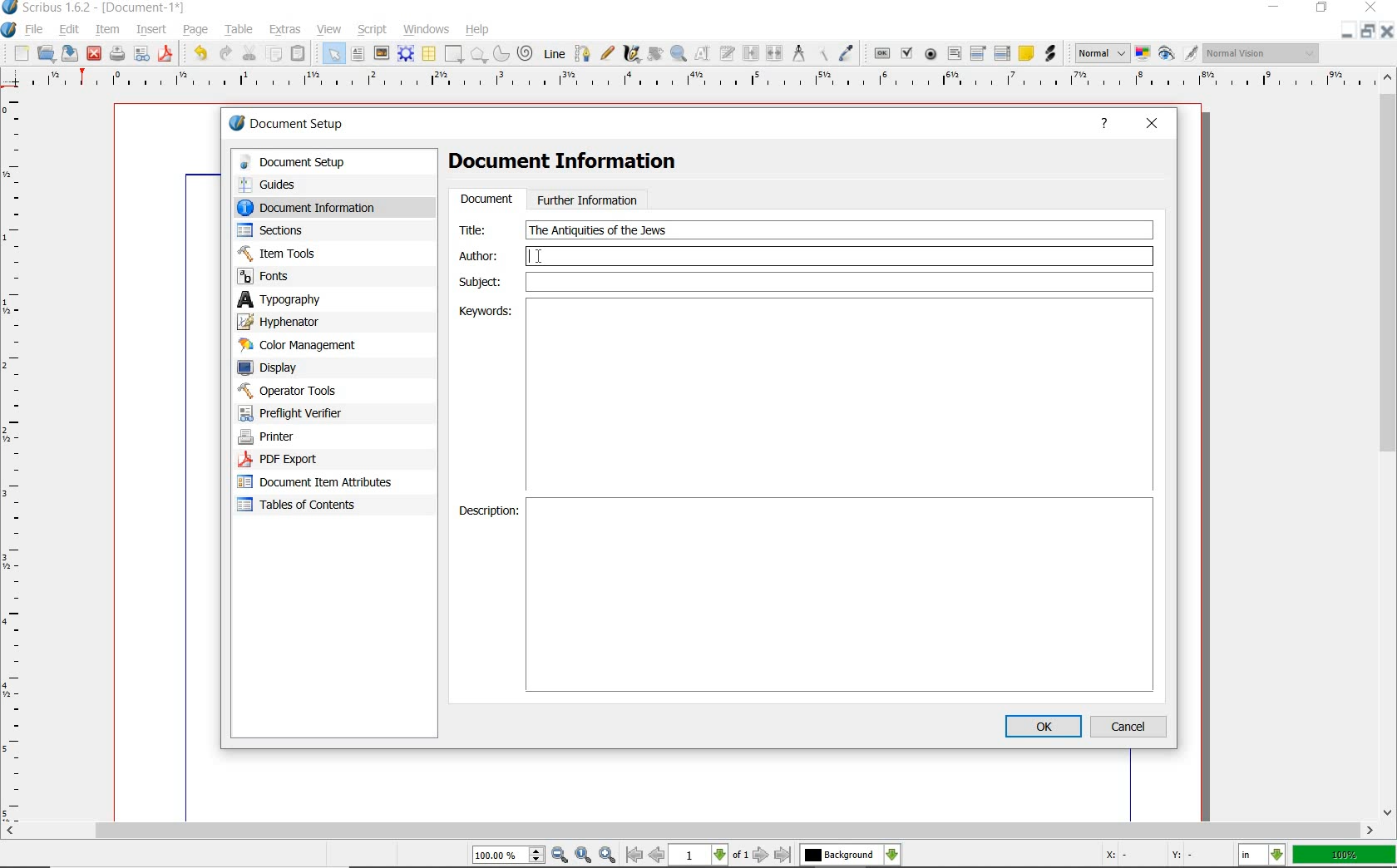 The image size is (1397, 868). I want to click on toggle color management, so click(1143, 53).